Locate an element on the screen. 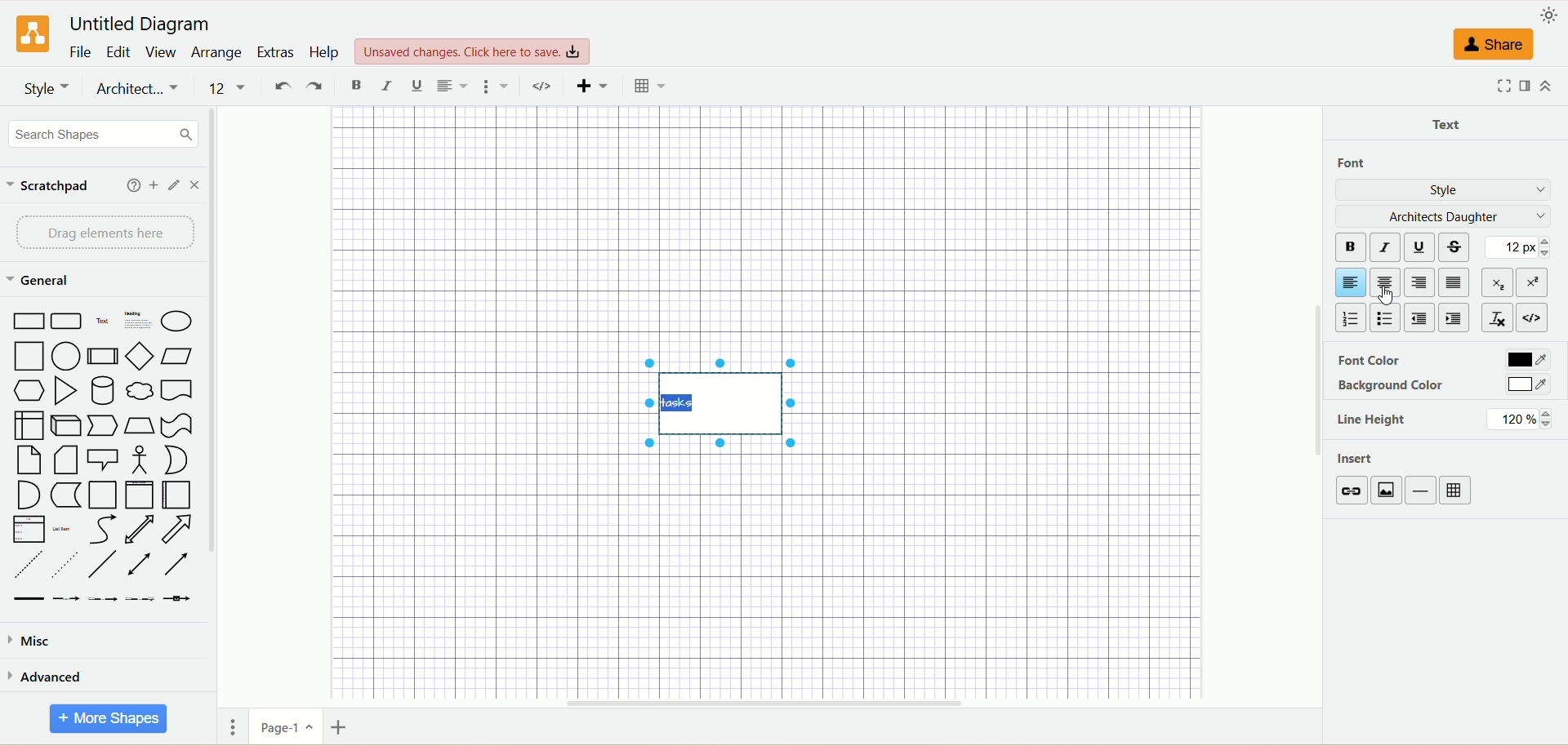 The height and width of the screenshot is (746, 1568). clear formatting is located at coordinates (1496, 316).